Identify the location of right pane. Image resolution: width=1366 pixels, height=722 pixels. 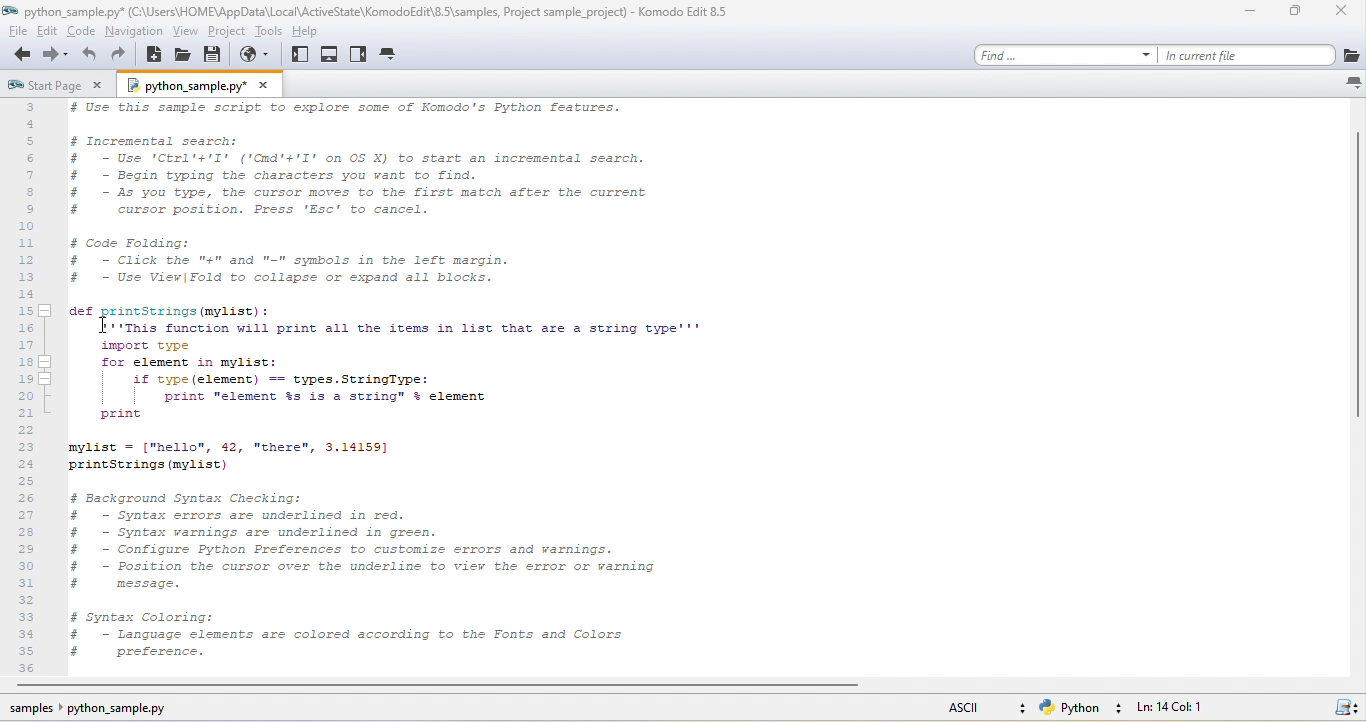
(360, 56).